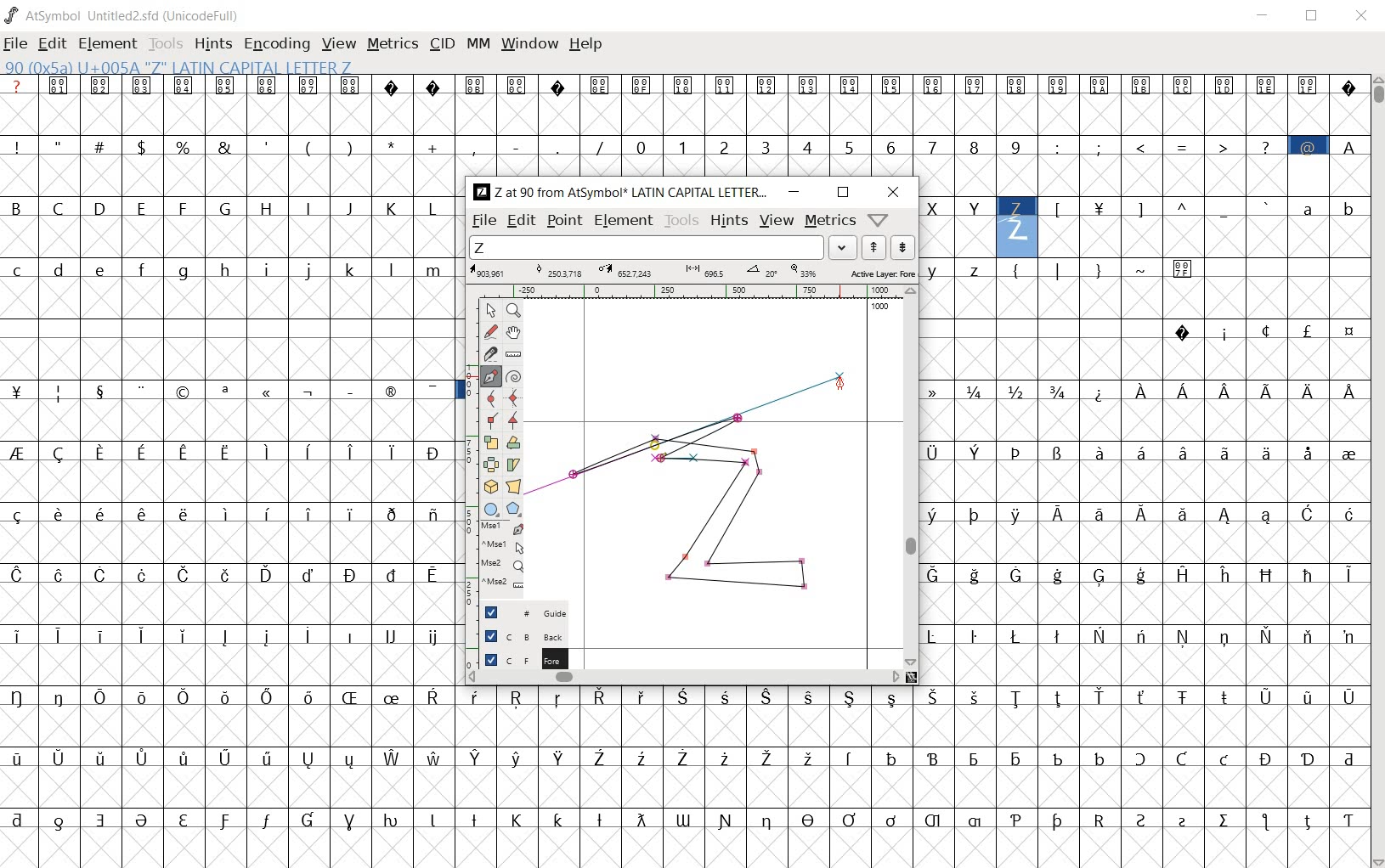  Describe the element at coordinates (564, 222) in the screenshot. I see `point` at that location.